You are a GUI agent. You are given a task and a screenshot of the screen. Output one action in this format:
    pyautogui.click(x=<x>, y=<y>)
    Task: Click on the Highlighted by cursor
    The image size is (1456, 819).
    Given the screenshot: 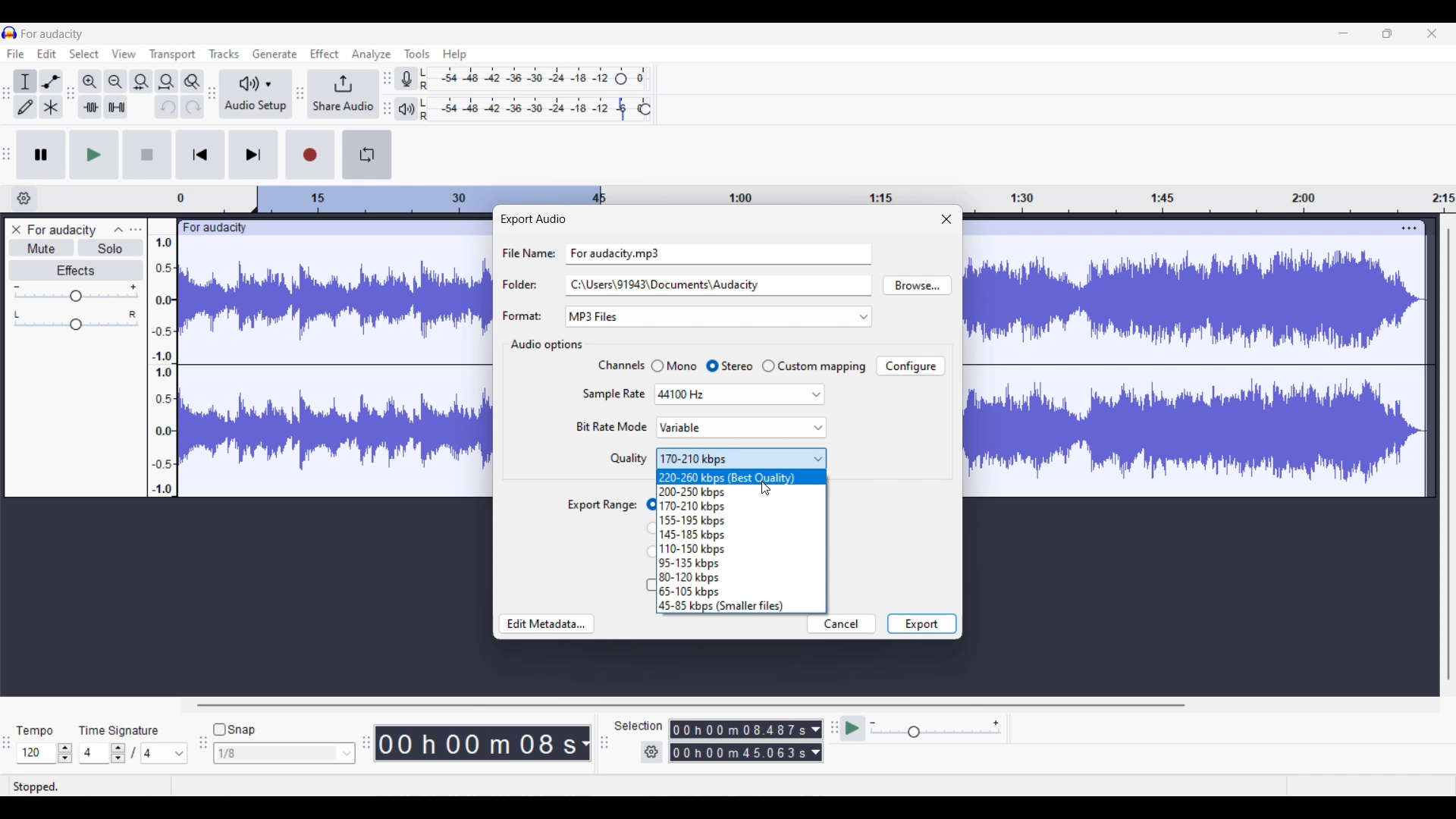 What is the action you would take?
    pyautogui.click(x=765, y=428)
    